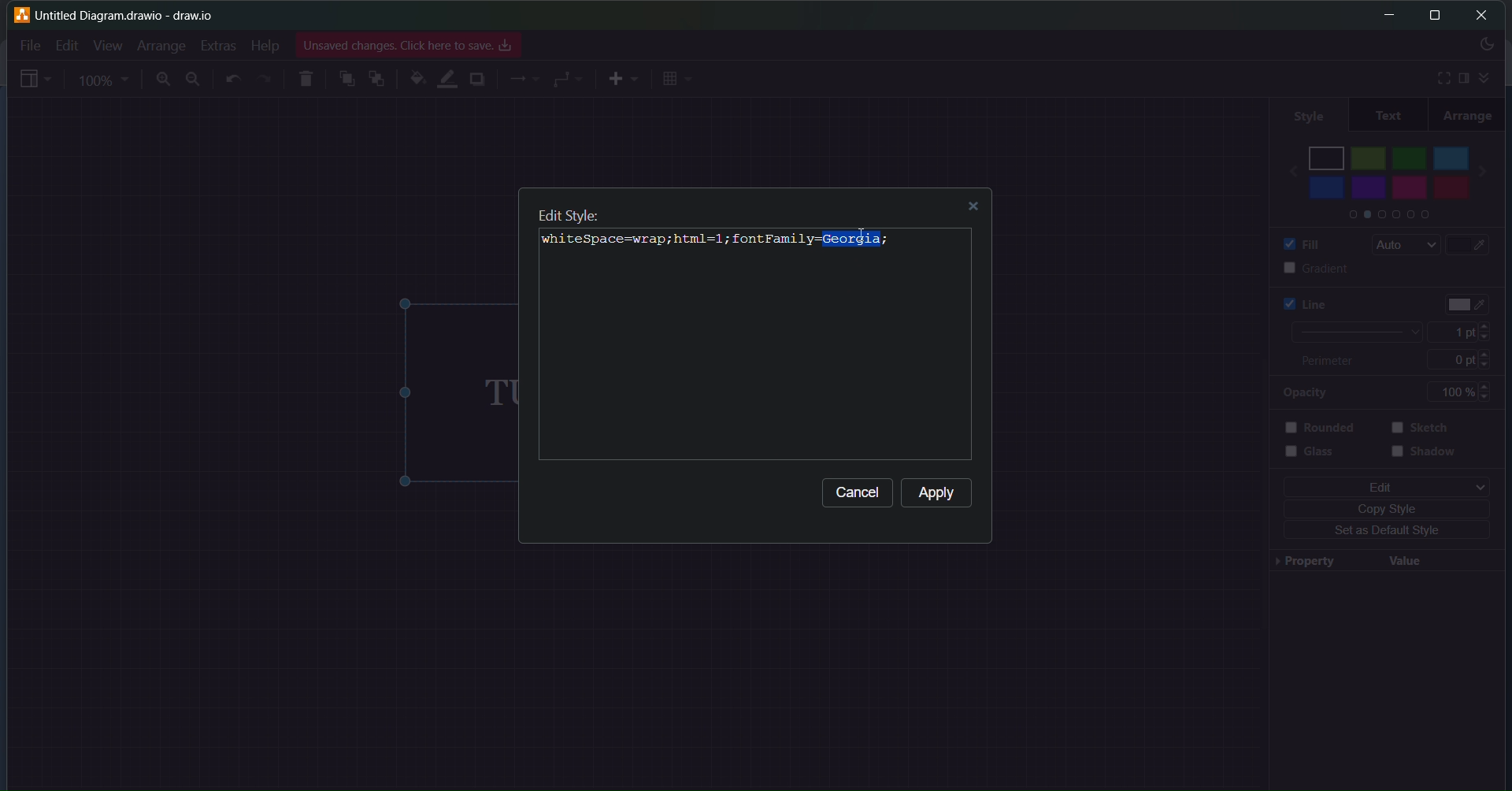  Describe the element at coordinates (1336, 362) in the screenshot. I see `perimeter` at that location.